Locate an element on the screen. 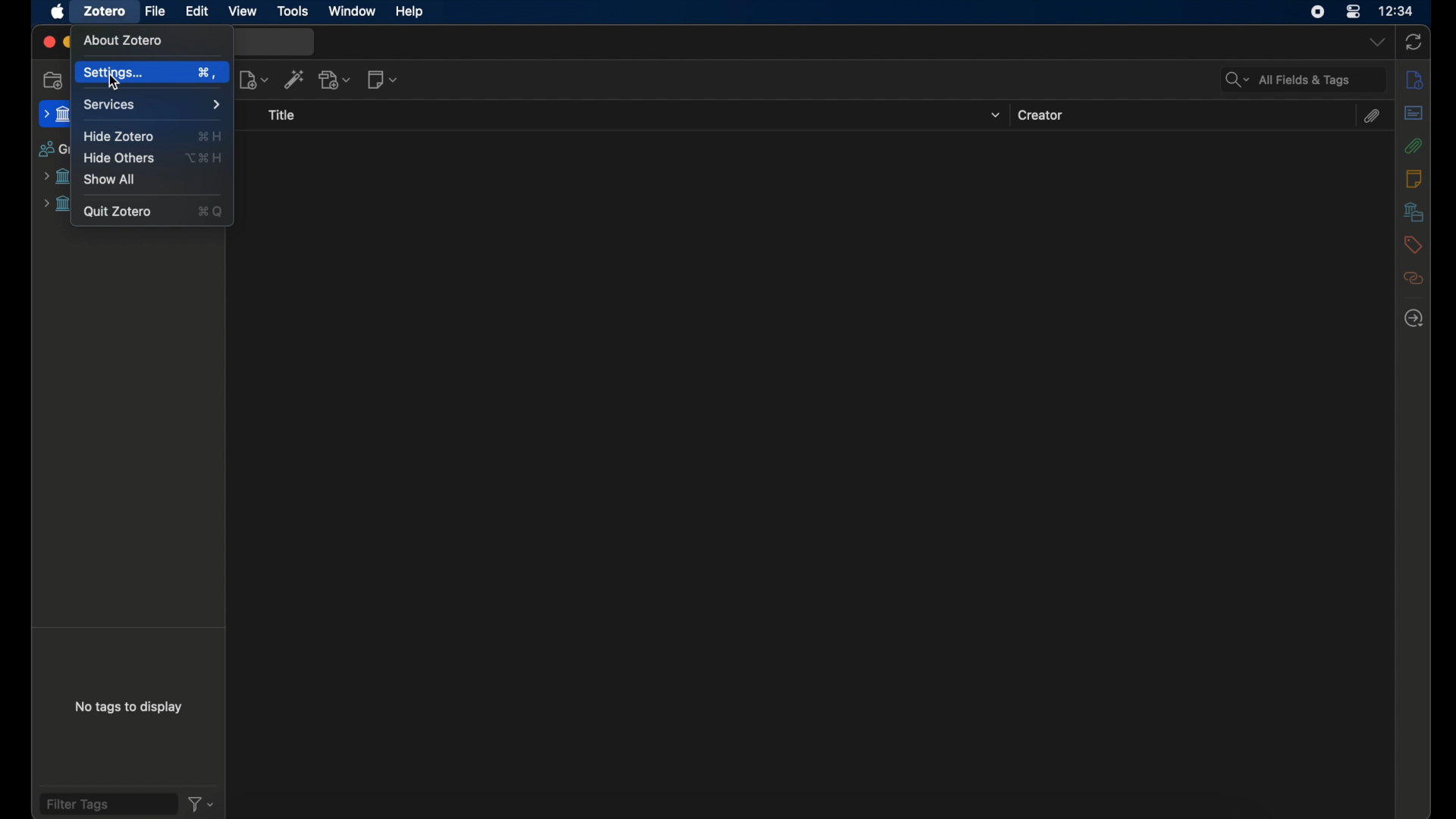 The image size is (1456, 819). group library is located at coordinates (57, 205).